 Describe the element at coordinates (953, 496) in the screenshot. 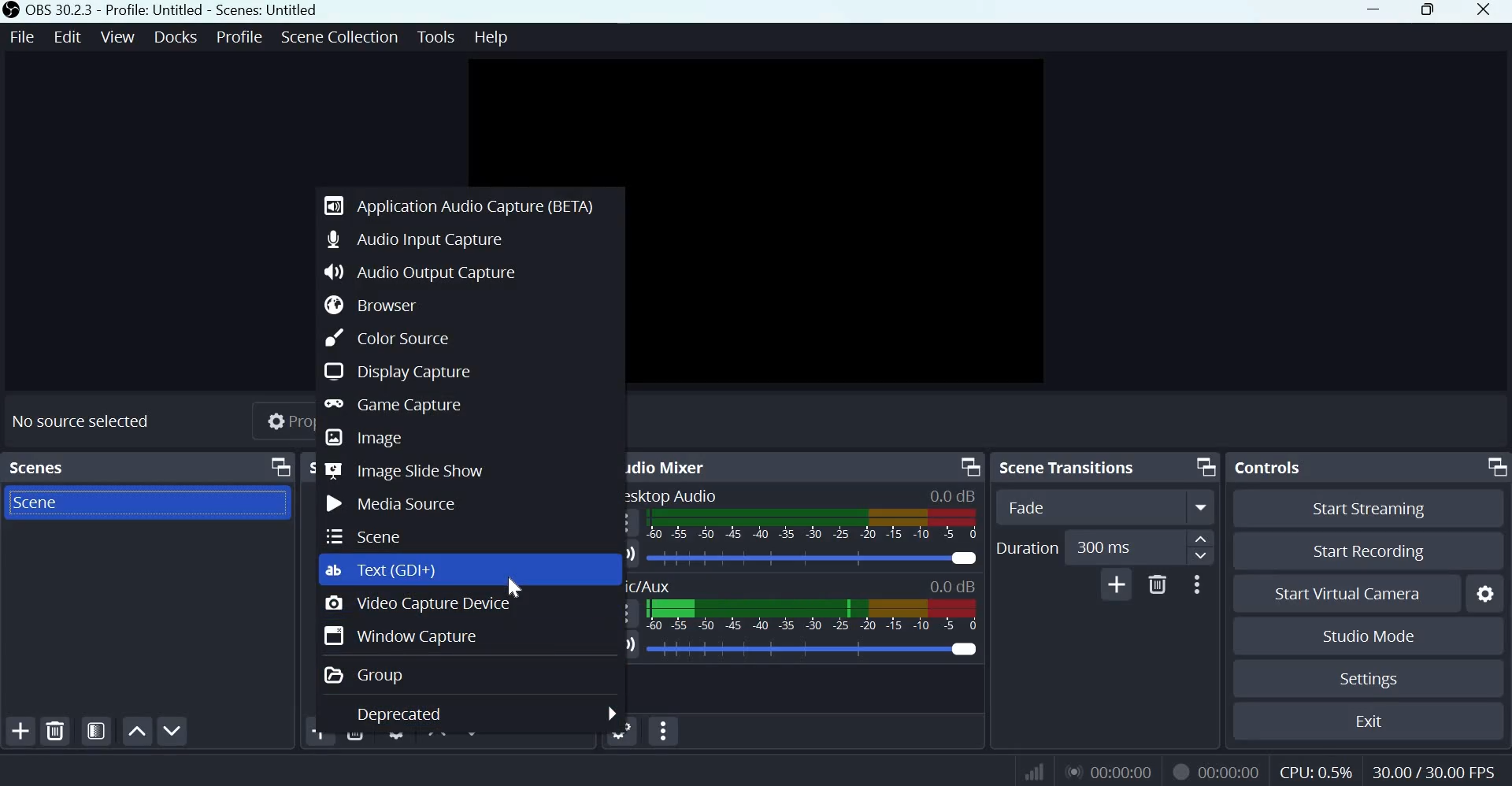

I see `0.0 dB` at that location.